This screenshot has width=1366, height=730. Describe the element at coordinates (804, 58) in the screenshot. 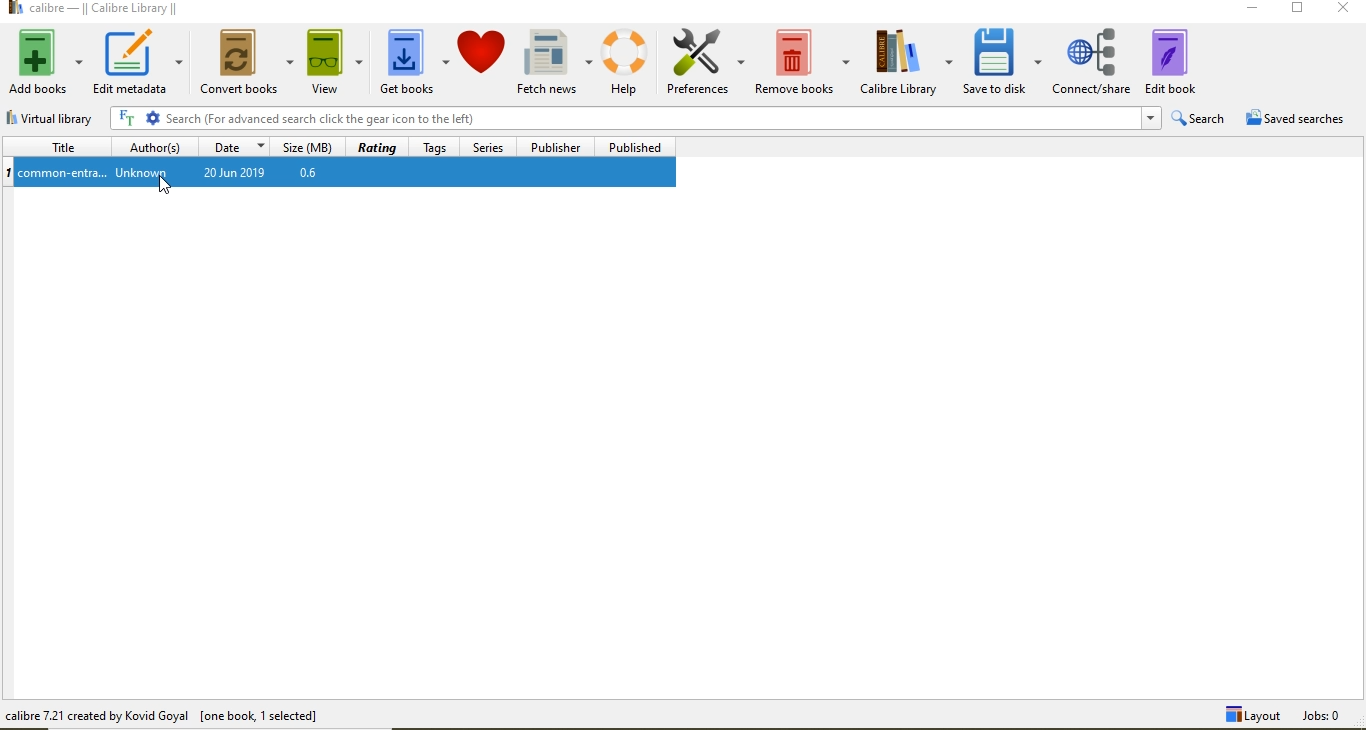

I see `remove books` at that location.